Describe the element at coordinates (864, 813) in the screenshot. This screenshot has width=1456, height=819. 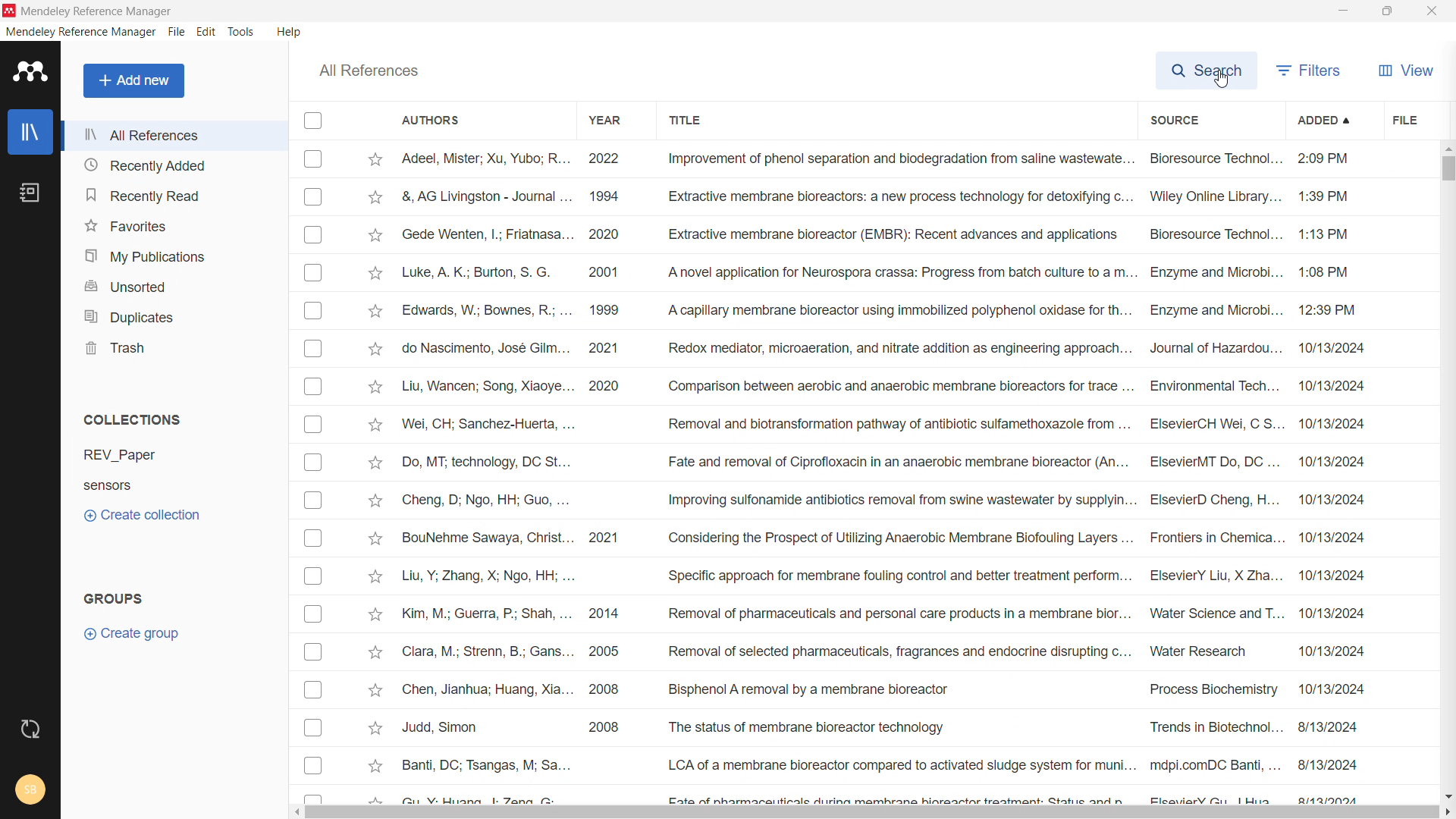
I see `horizontal scrollbar` at that location.